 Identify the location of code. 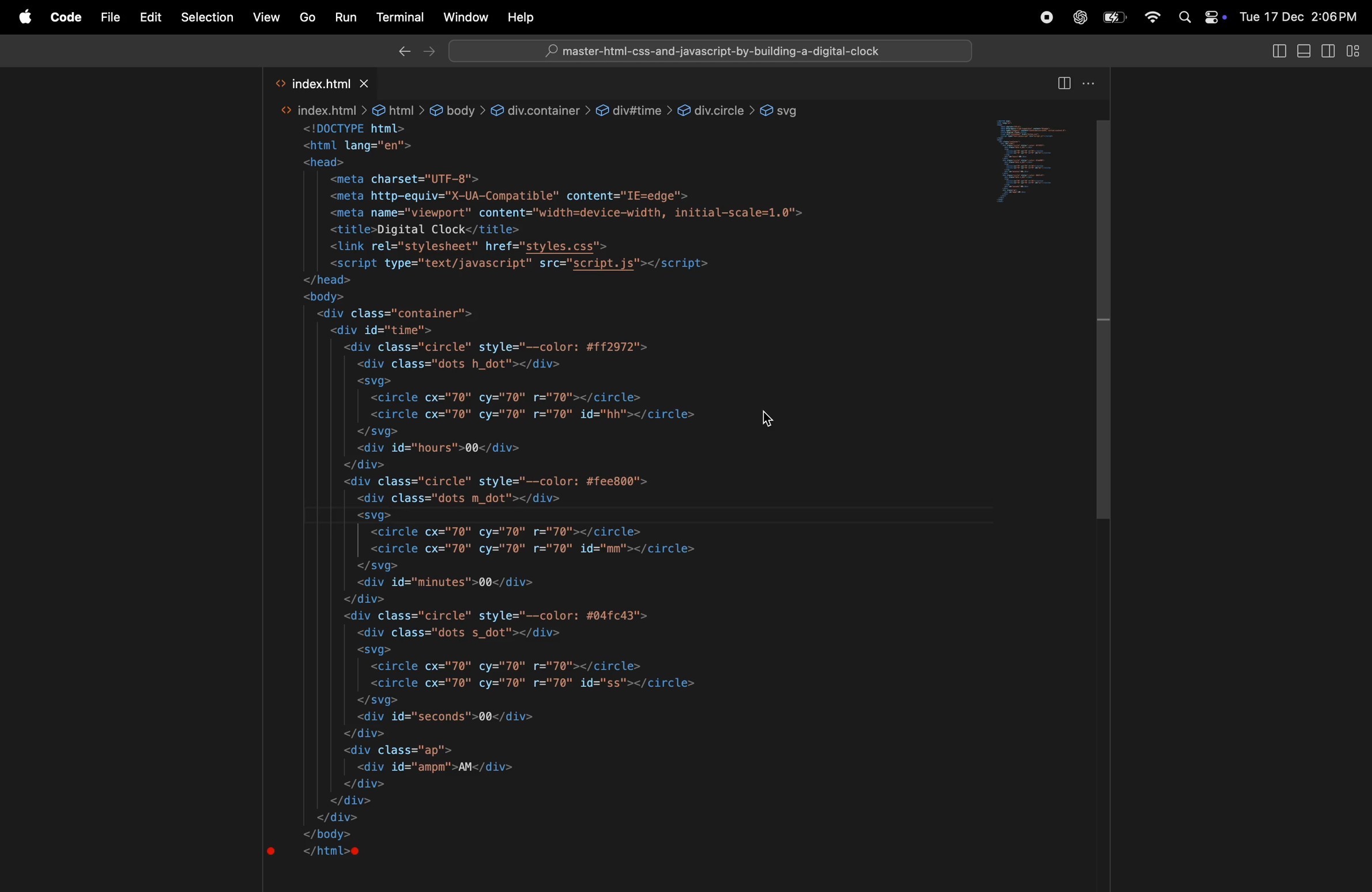
(66, 17).